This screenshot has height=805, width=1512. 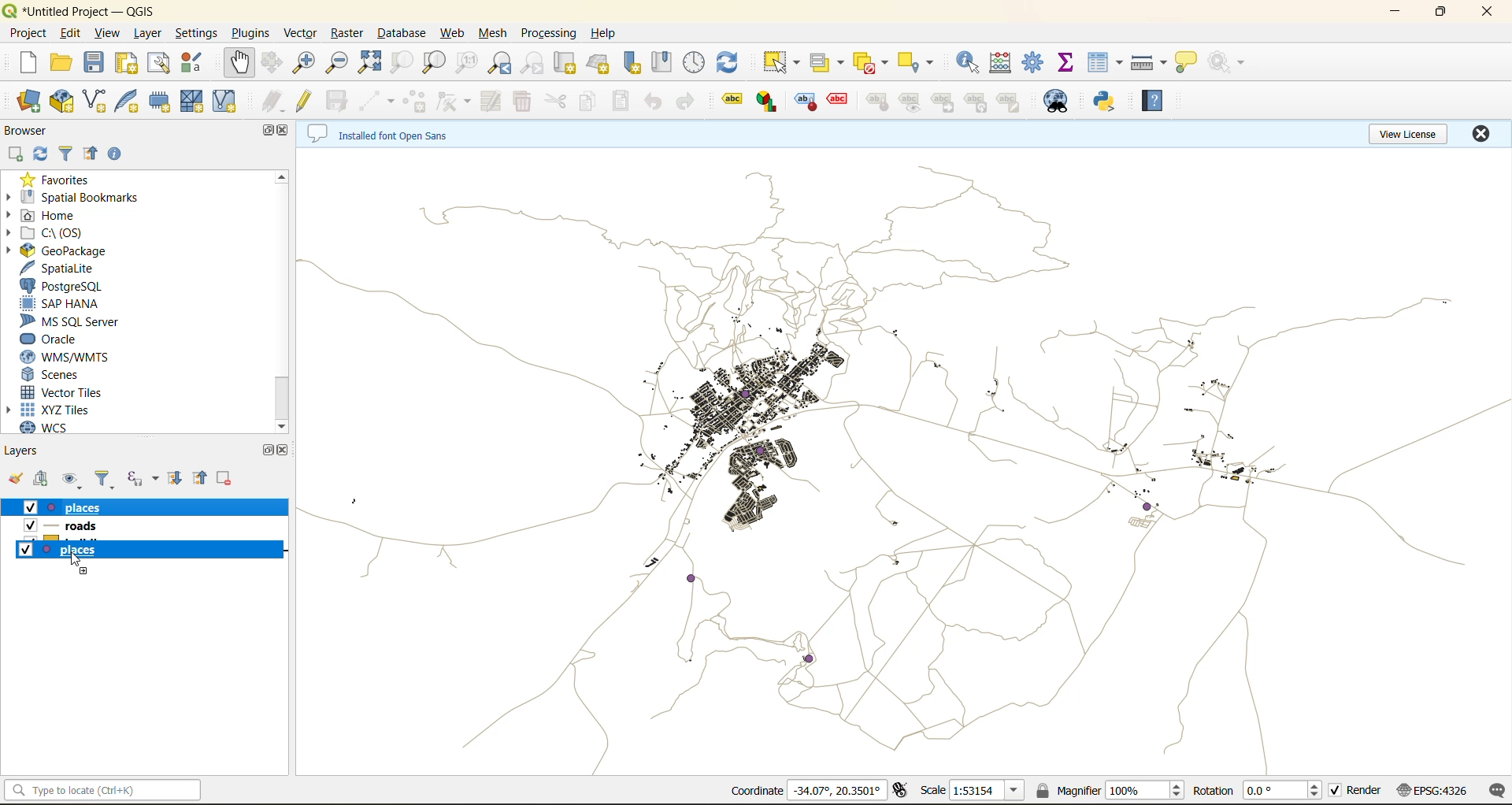 What do you see at coordinates (977, 791) in the screenshot?
I see `scale` at bounding box center [977, 791].